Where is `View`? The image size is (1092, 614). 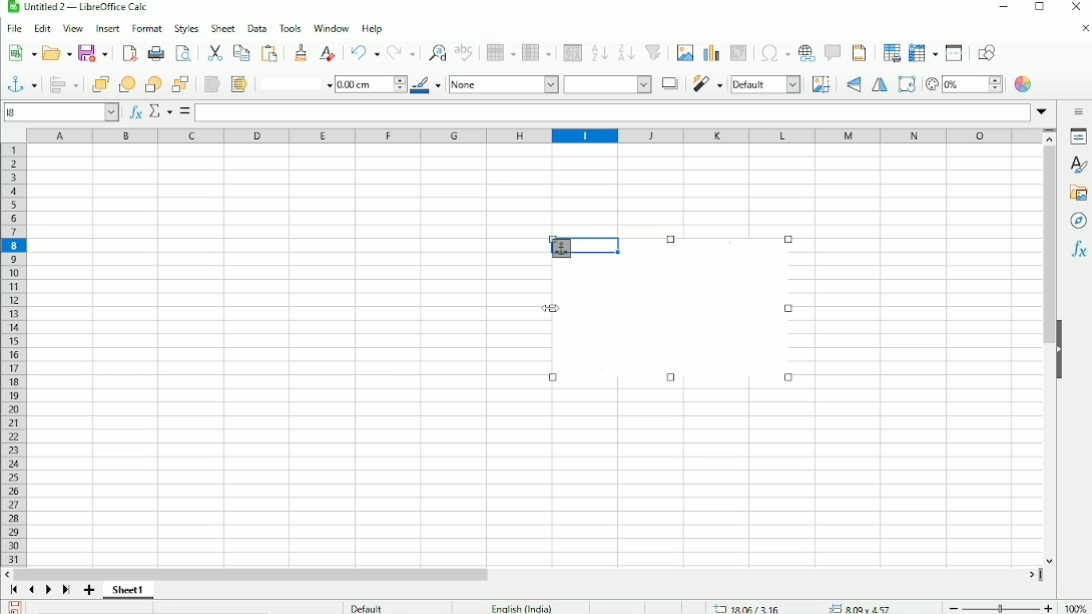 View is located at coordinates (73, 28).